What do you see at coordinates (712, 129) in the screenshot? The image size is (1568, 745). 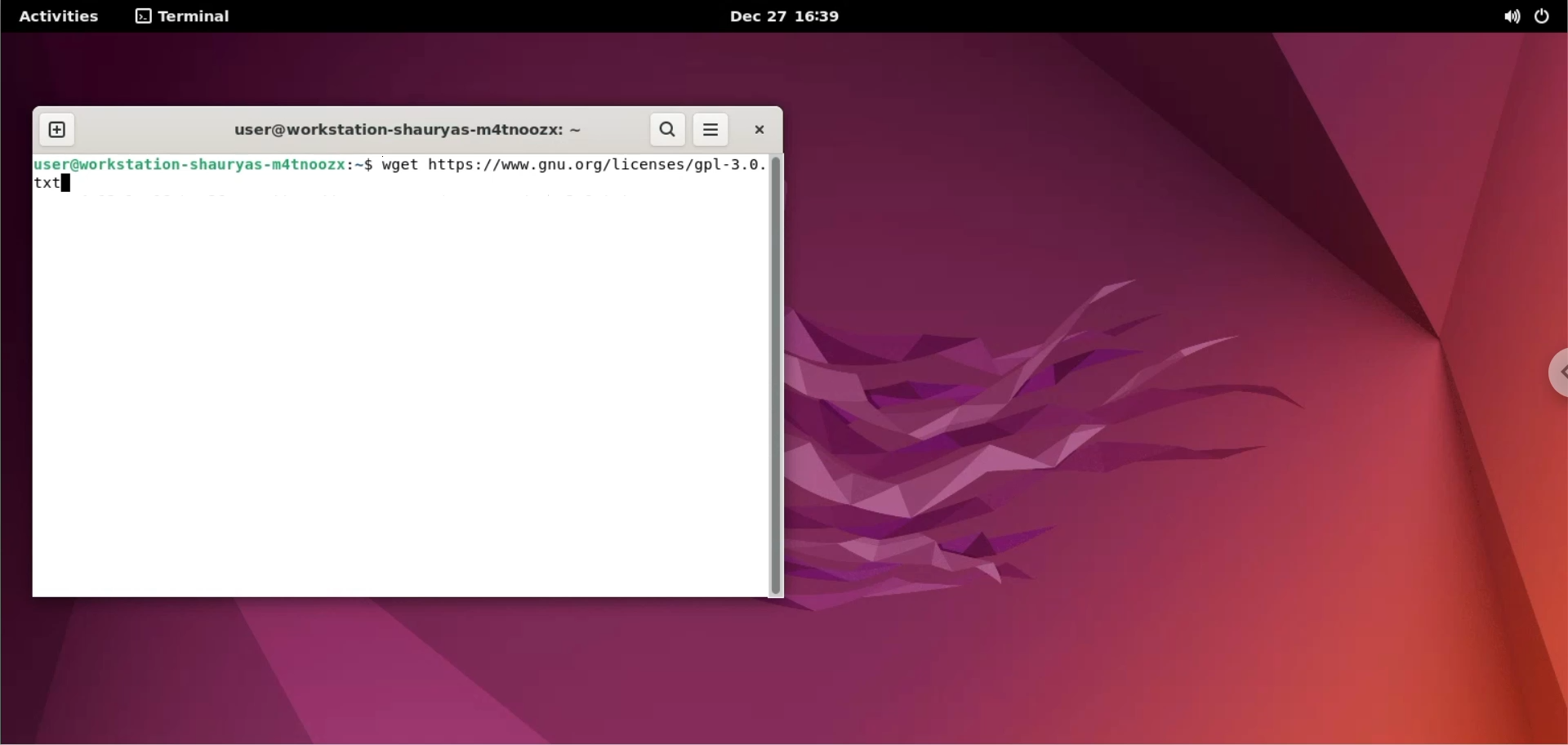 I see `more options` at bounding box center [712, 129].